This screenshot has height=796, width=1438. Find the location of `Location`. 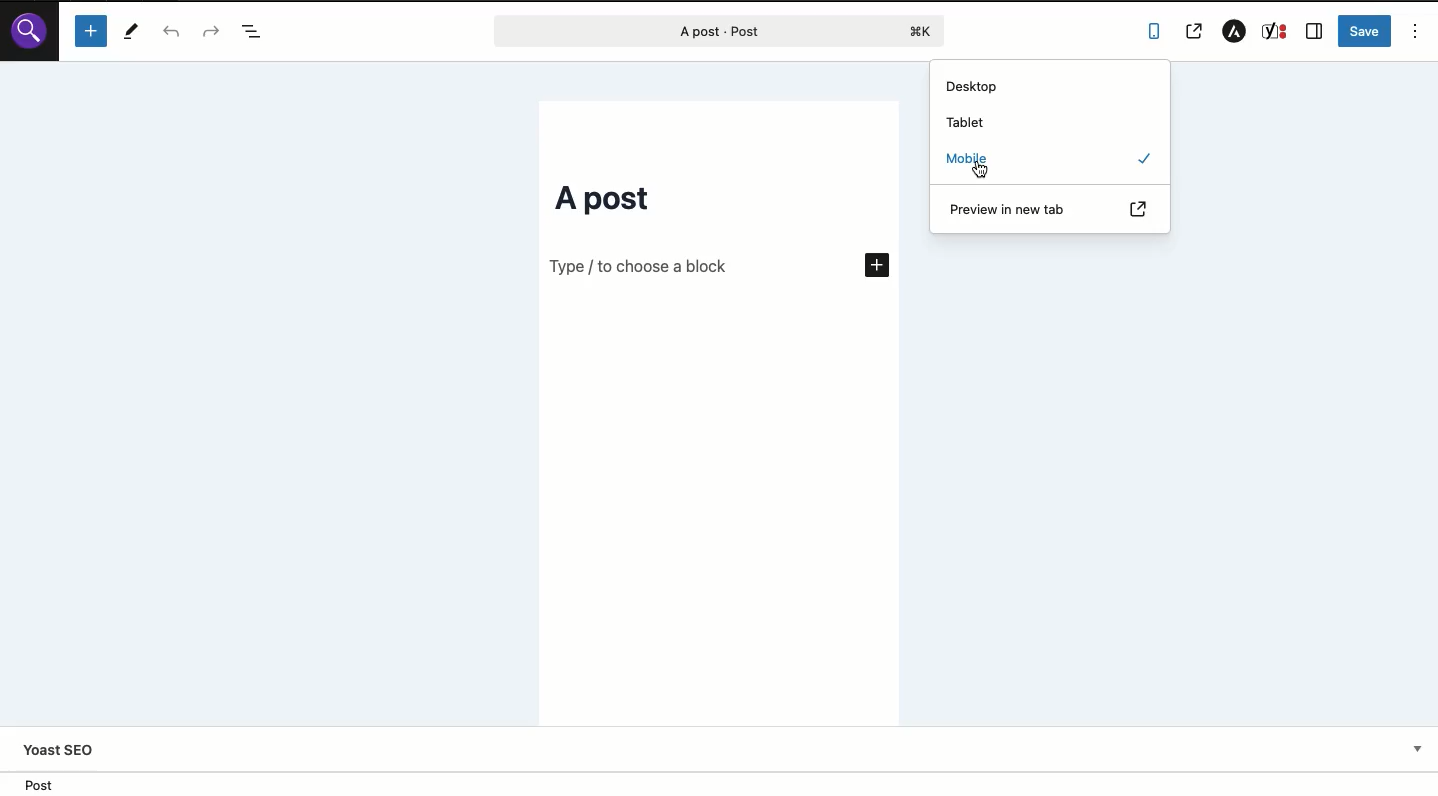

Location is located at coordinates (719, 783).